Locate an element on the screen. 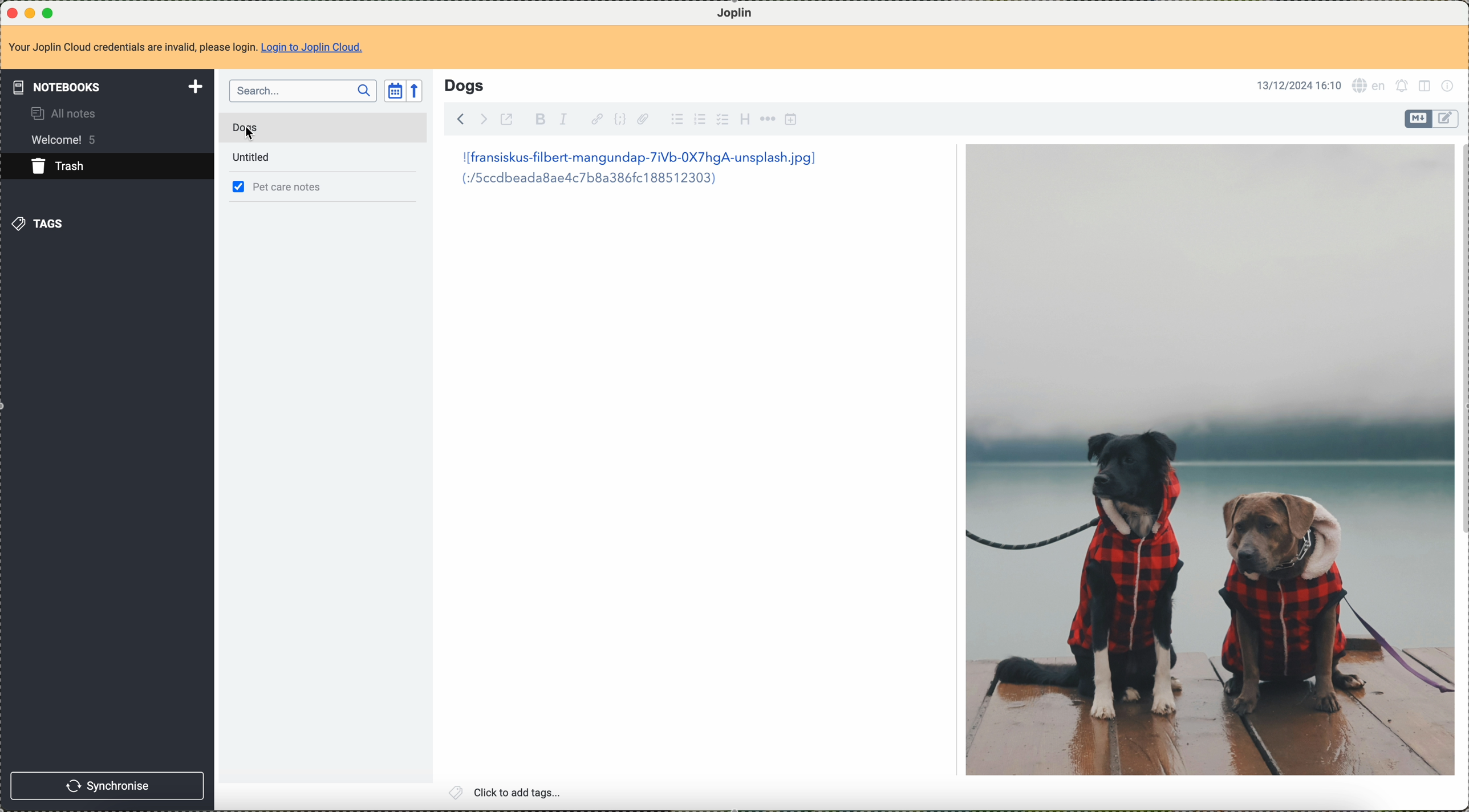 The height and width of the screenshot is (812, 1469). checkbox is located at coordinates (721, 119).